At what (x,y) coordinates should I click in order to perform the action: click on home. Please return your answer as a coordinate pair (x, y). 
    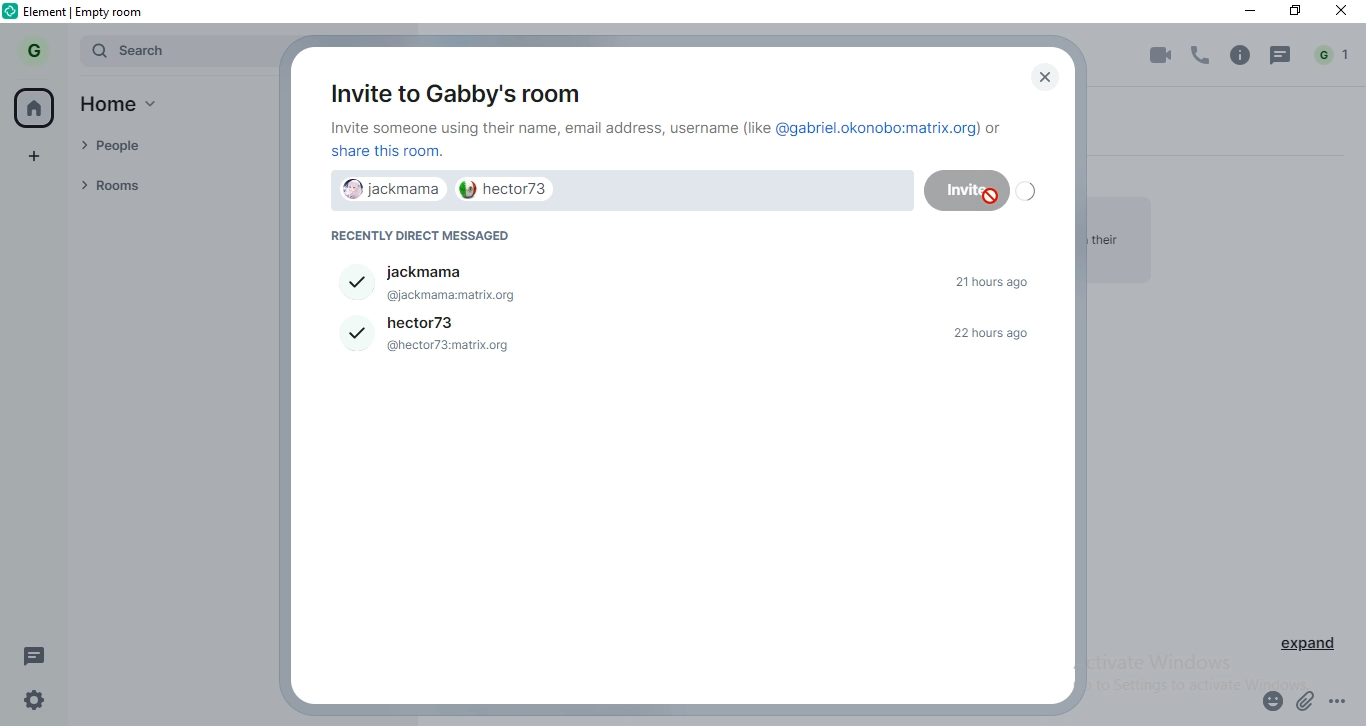
    Looking at the image, I should click on (129, 107).